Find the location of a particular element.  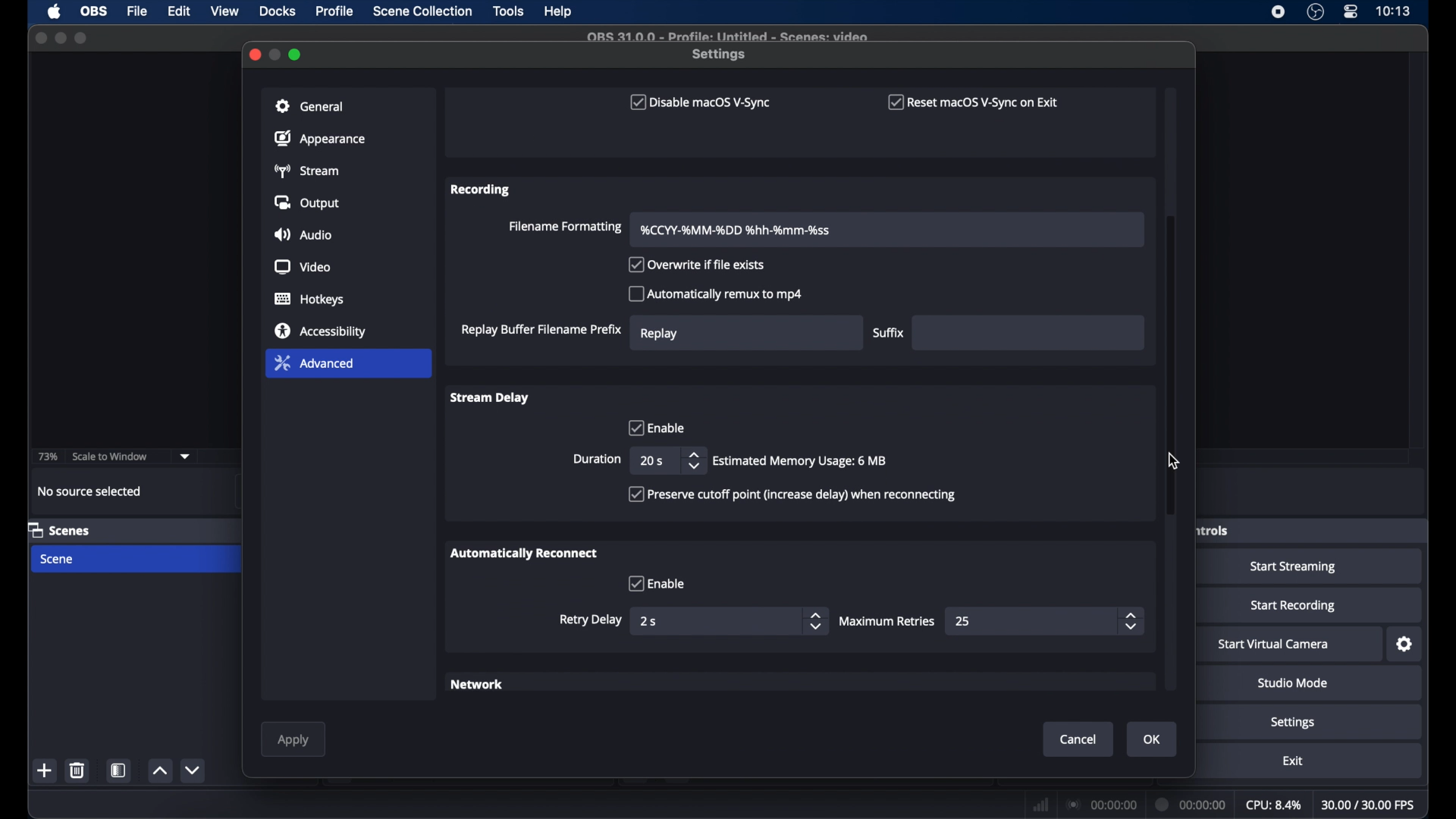

network is located at coordinates (479, 686).